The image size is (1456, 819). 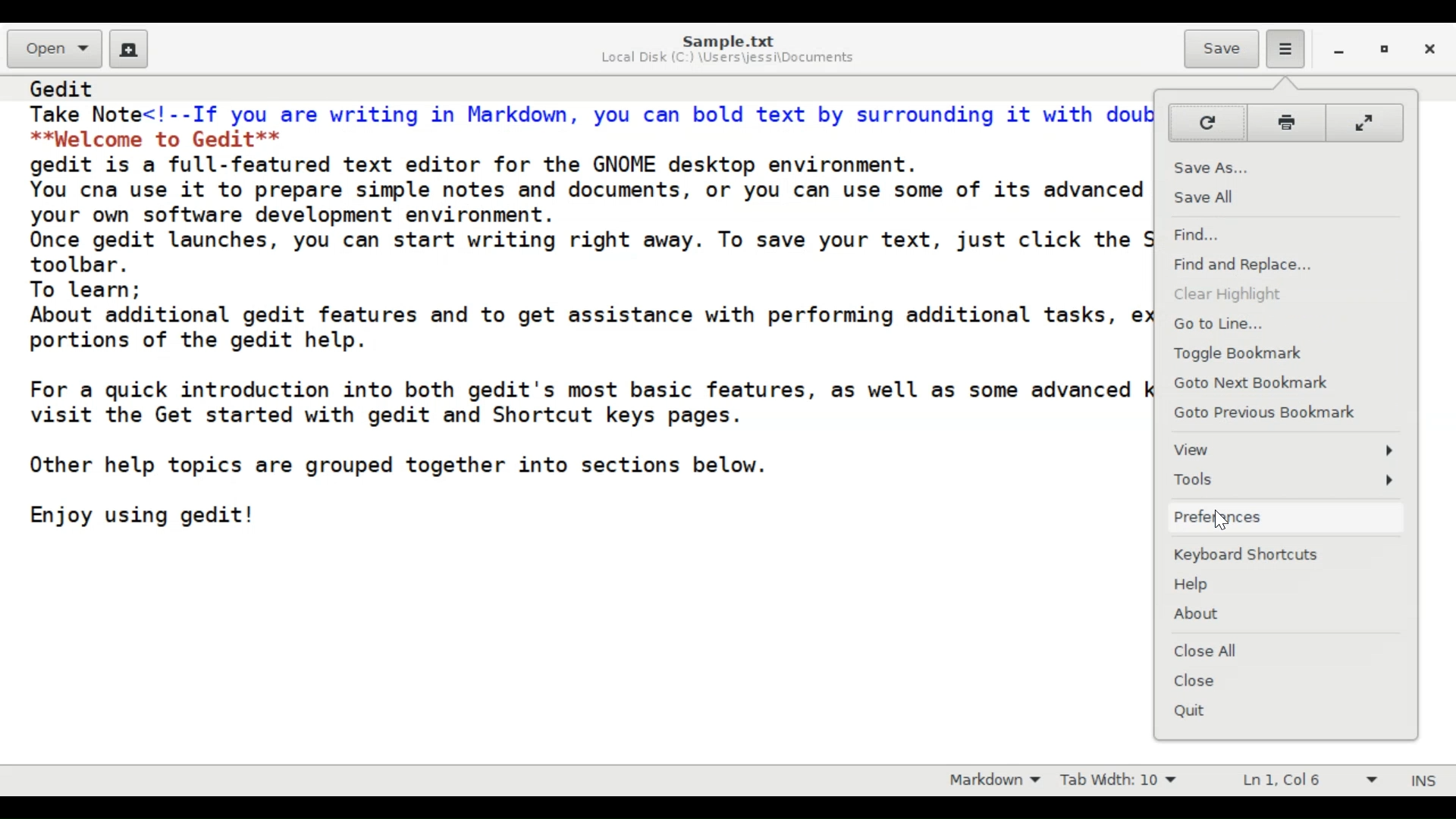 I want to click on Go to Line, so click(x=1288, y=325).